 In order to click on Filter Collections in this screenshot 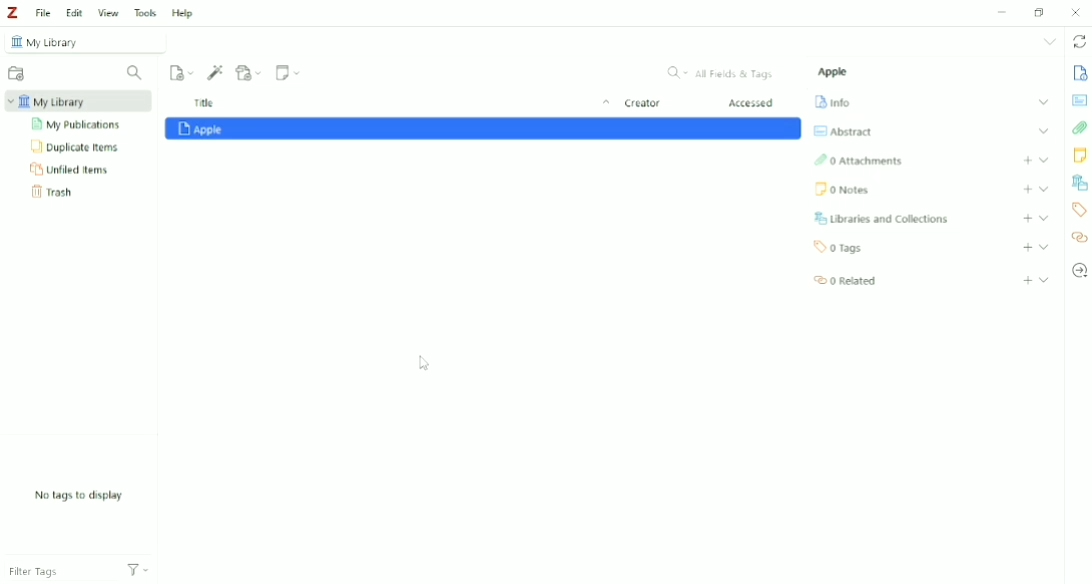, I will do `click(136, 73)`.